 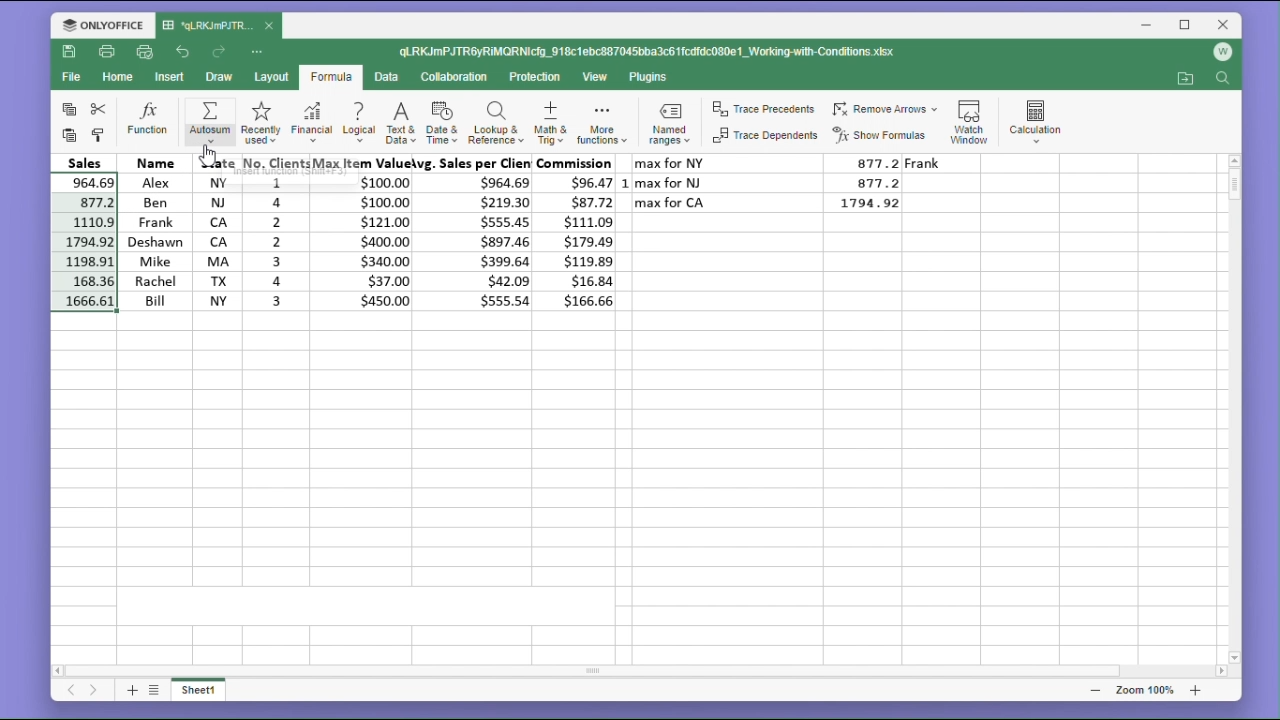 What do you see at coordinates (221, 52) in the screenshot?
I see `redo` at bounding box center [221, 52].